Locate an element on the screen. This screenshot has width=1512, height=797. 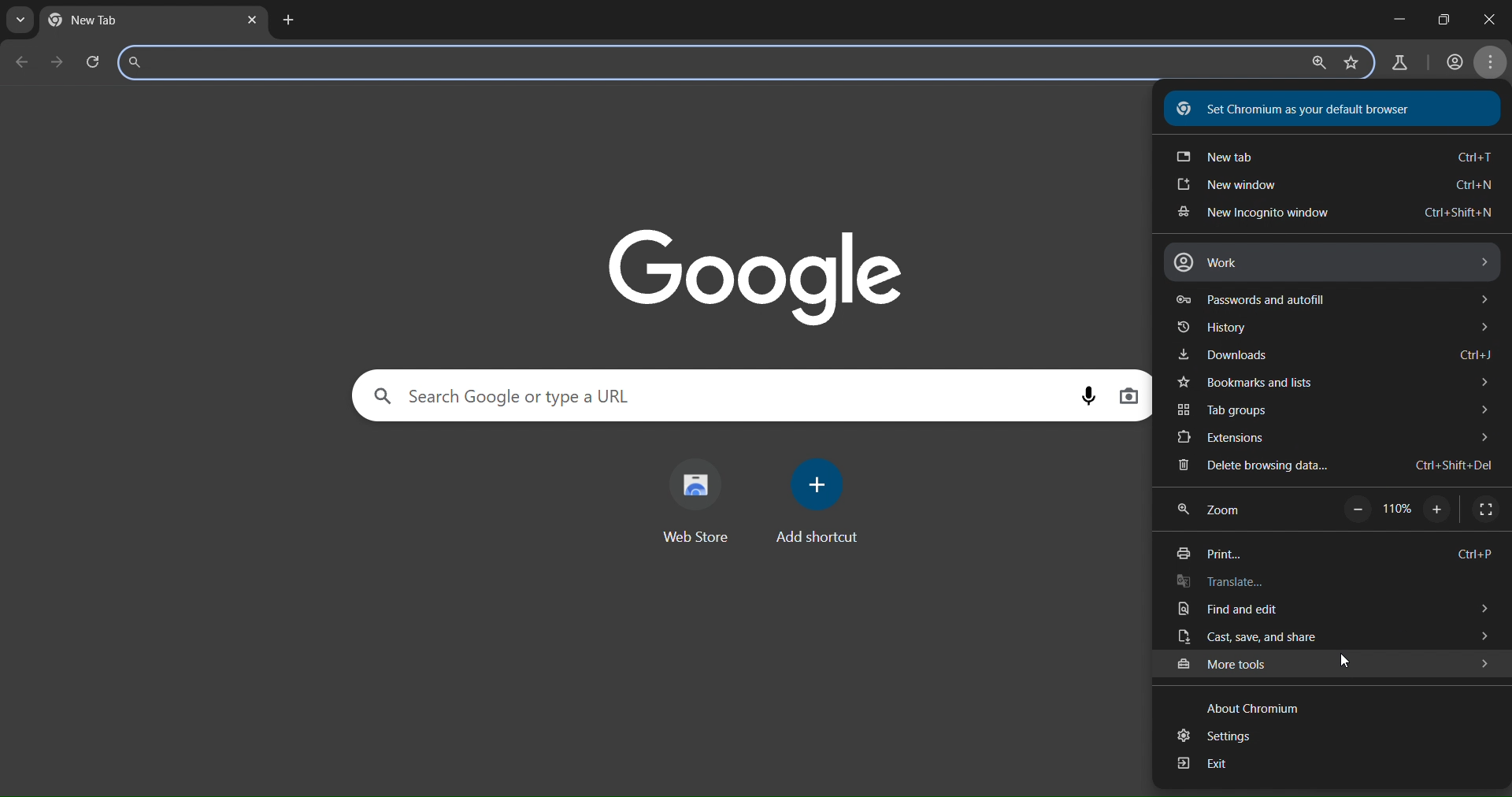
passwords and autofill is located at coordinates (1331, 299).